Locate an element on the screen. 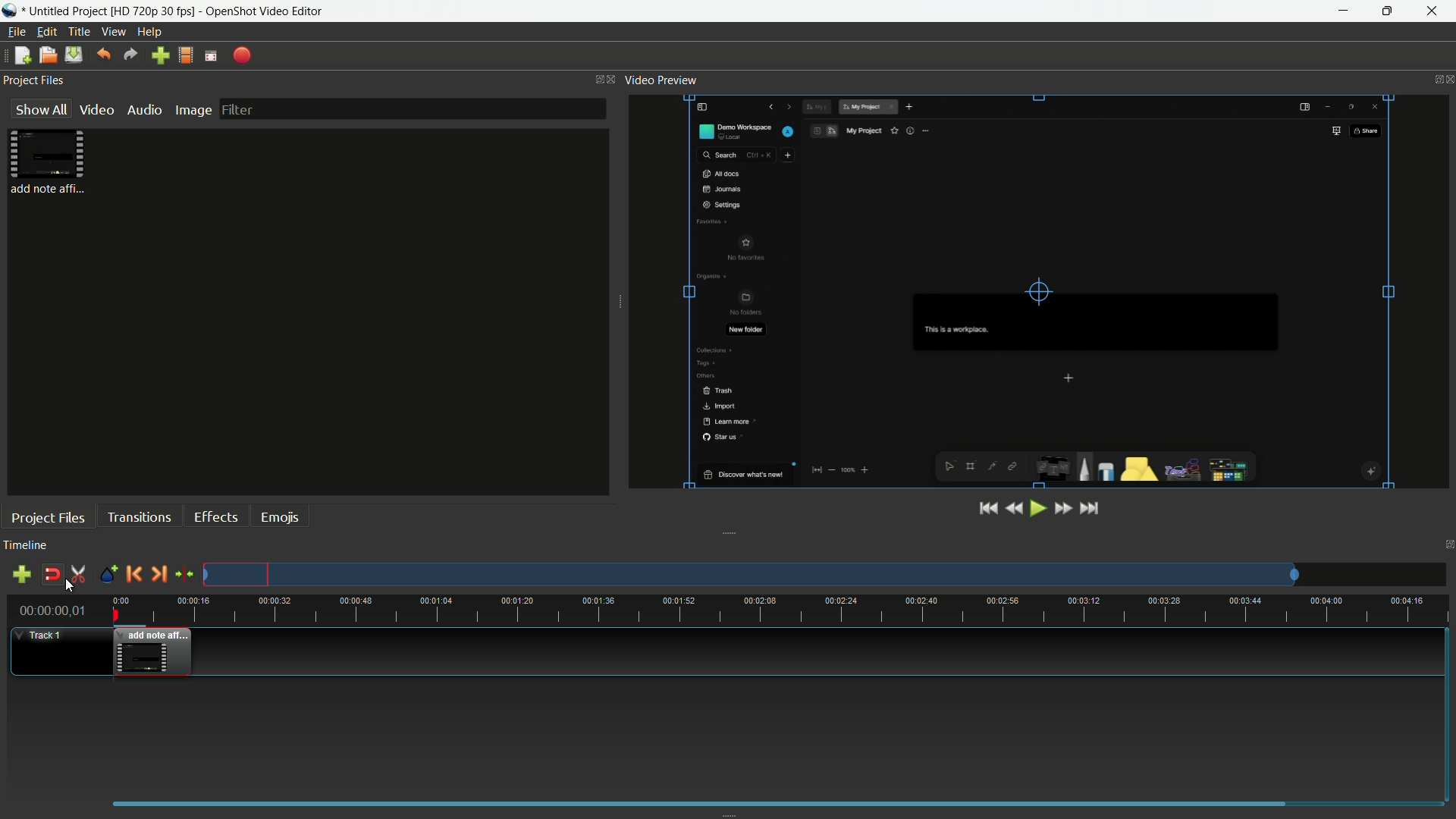 The width and height of the screenshot is (1456, 819). project file is located at coordinates (49, 162).